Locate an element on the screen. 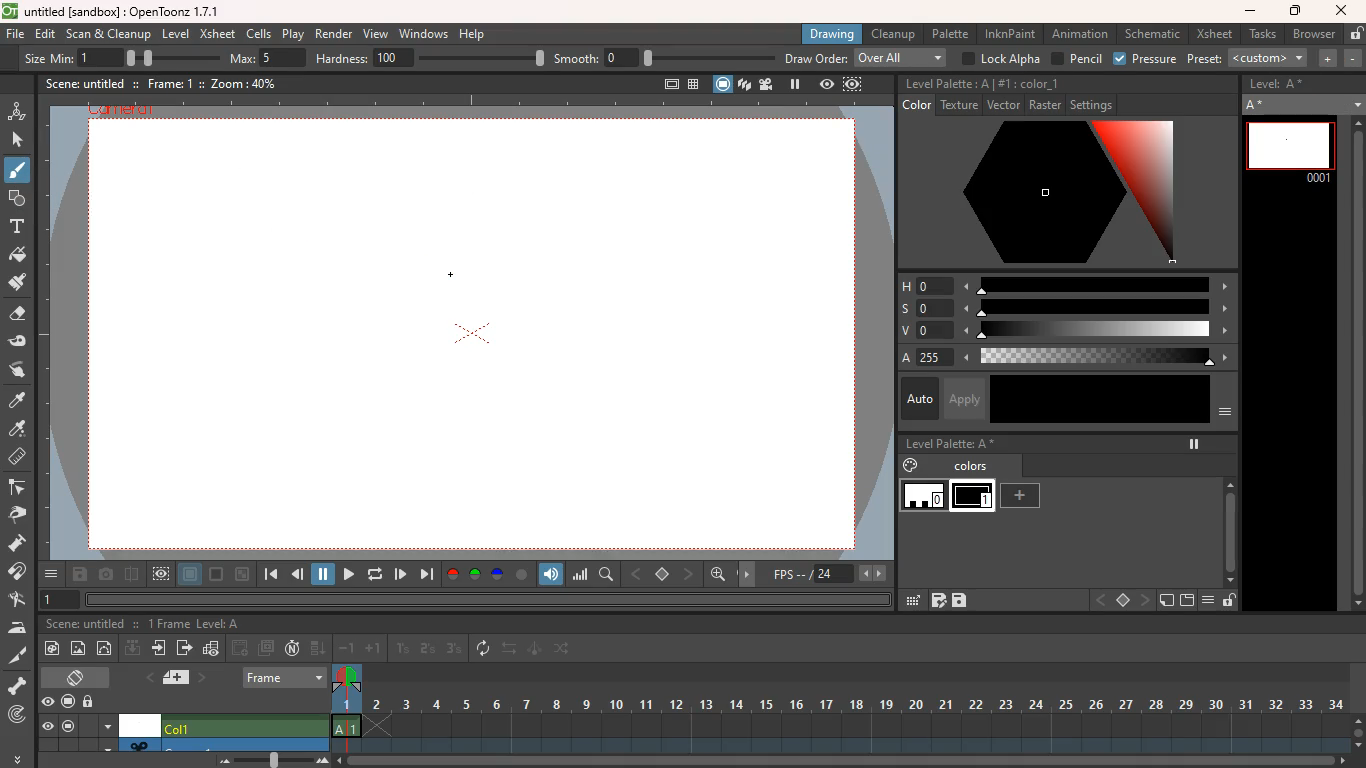 This screenshot has width=1366, height=768. change is located at coordinates (565, 651).